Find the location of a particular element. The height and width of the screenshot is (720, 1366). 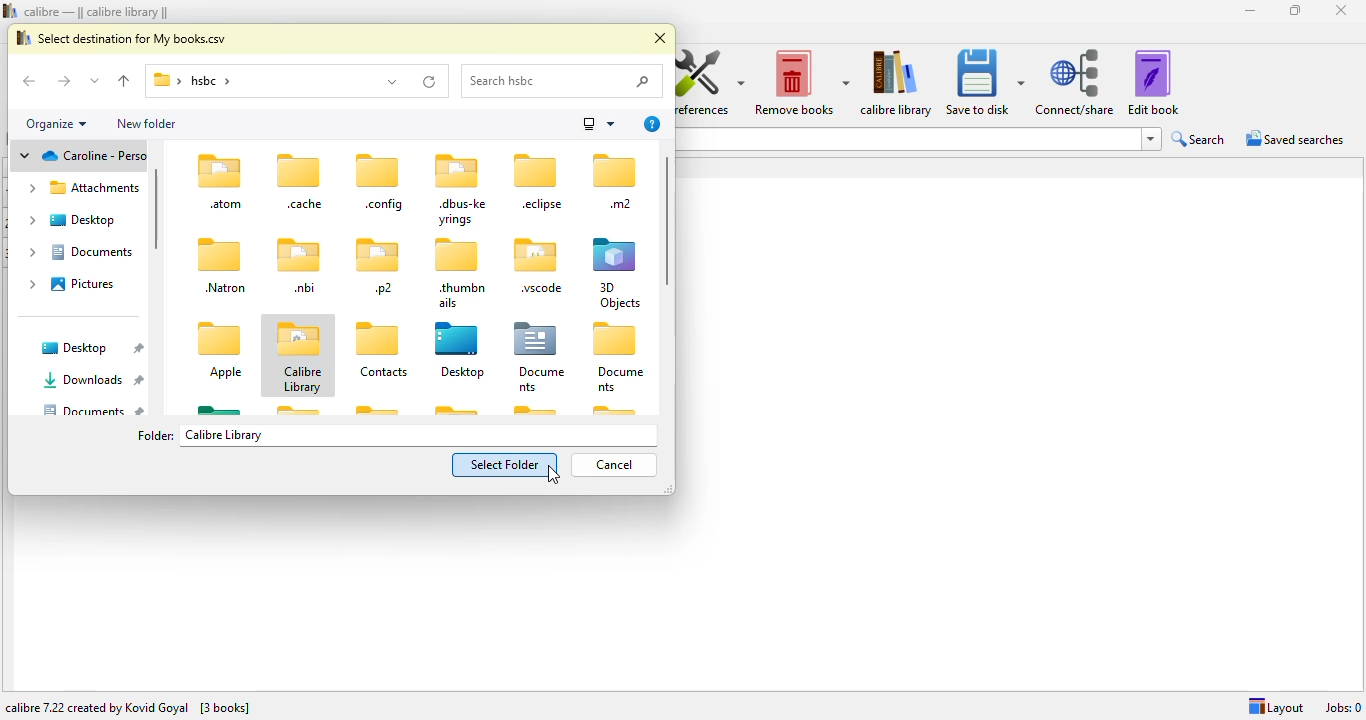

calibre library is located at coordinates (299, 356).